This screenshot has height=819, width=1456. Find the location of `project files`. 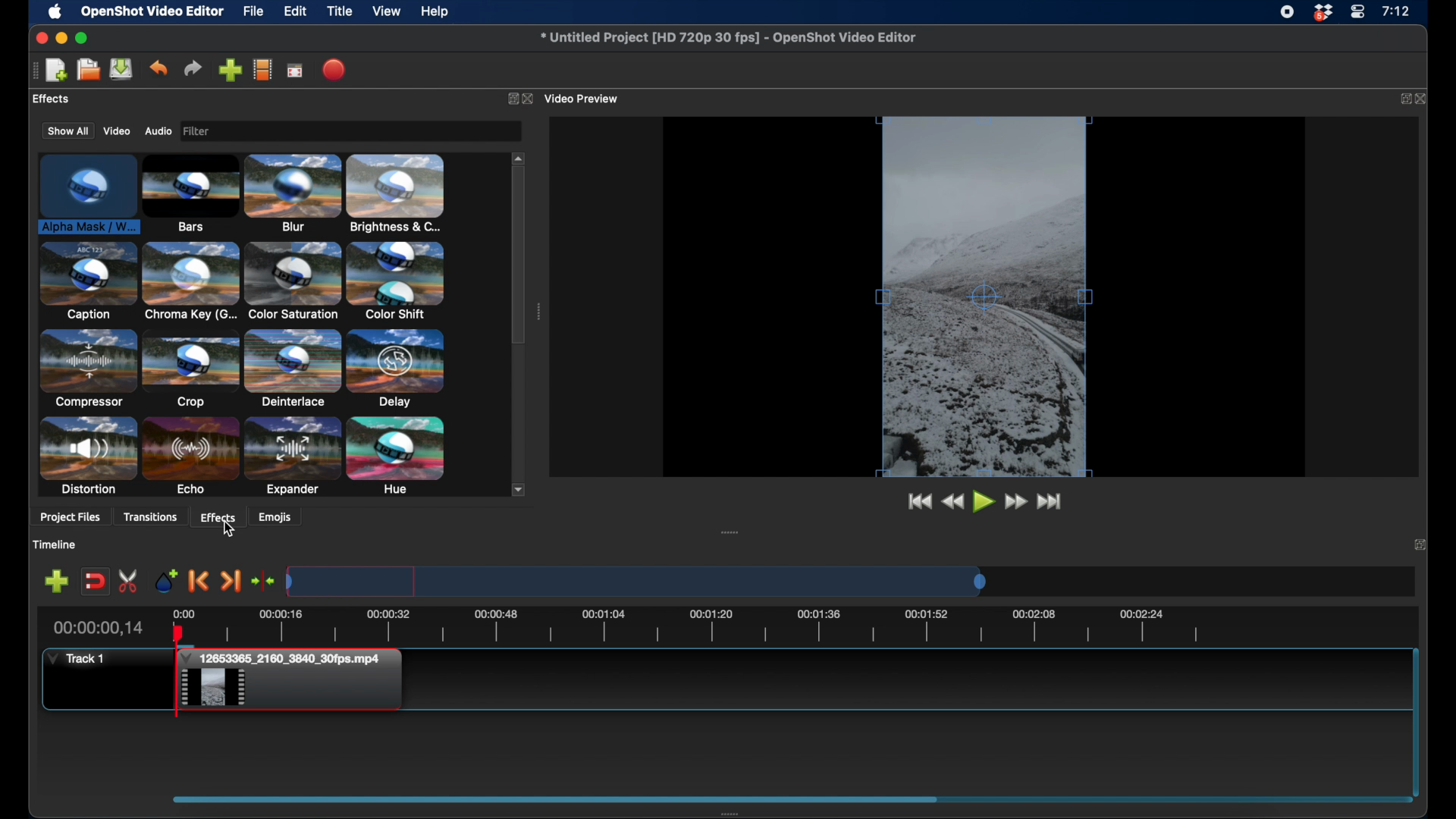

project files is located at coordinates (64, 99).